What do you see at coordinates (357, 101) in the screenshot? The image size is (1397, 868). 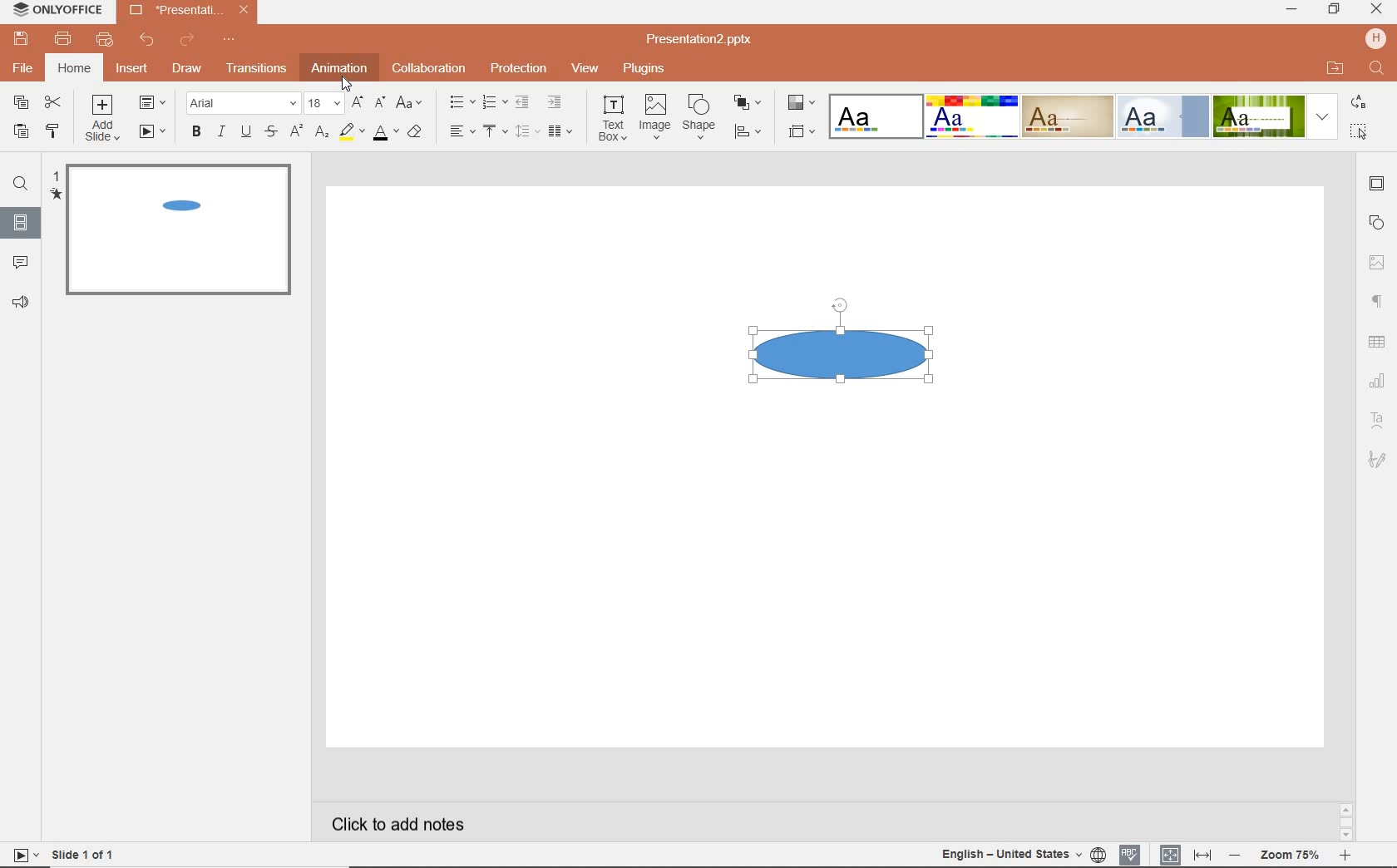 I see `INCREMENT FONT SIZE` at bounding box center [357, 101].